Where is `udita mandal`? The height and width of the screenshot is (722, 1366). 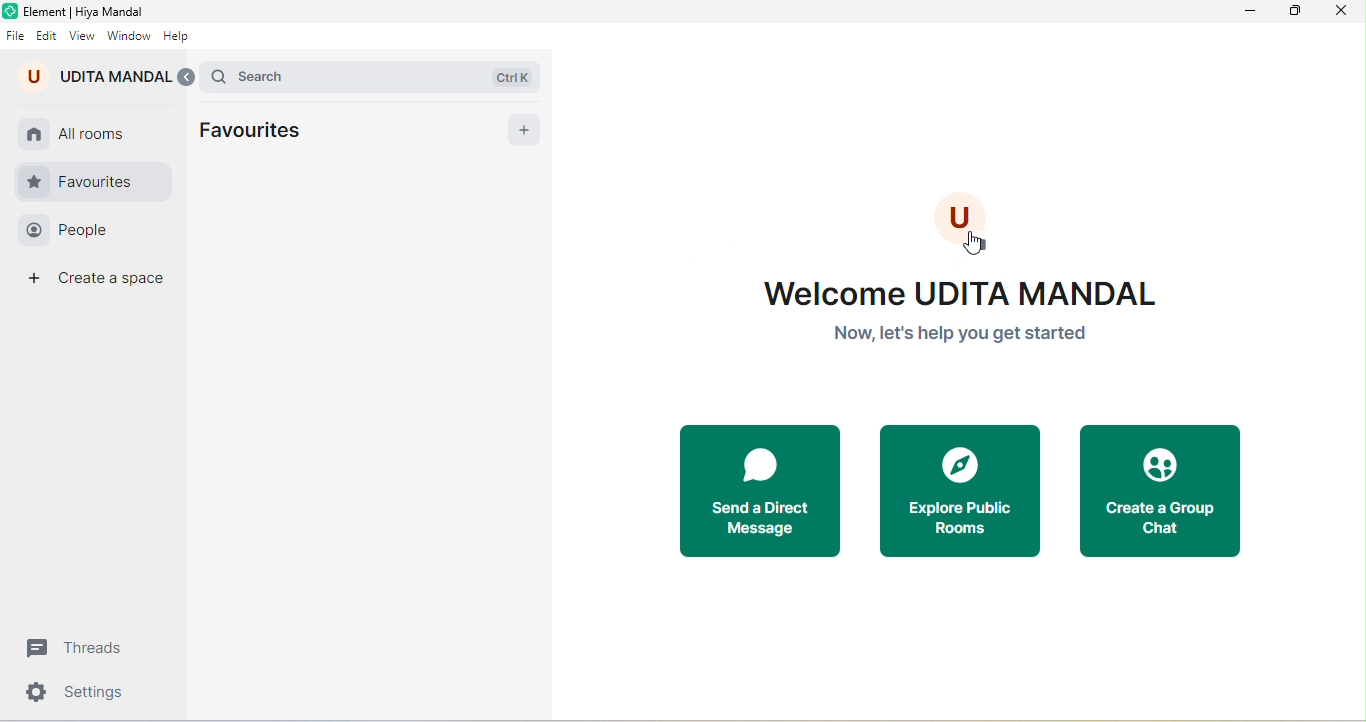 udita mandal is located at coordinates (92, 76).